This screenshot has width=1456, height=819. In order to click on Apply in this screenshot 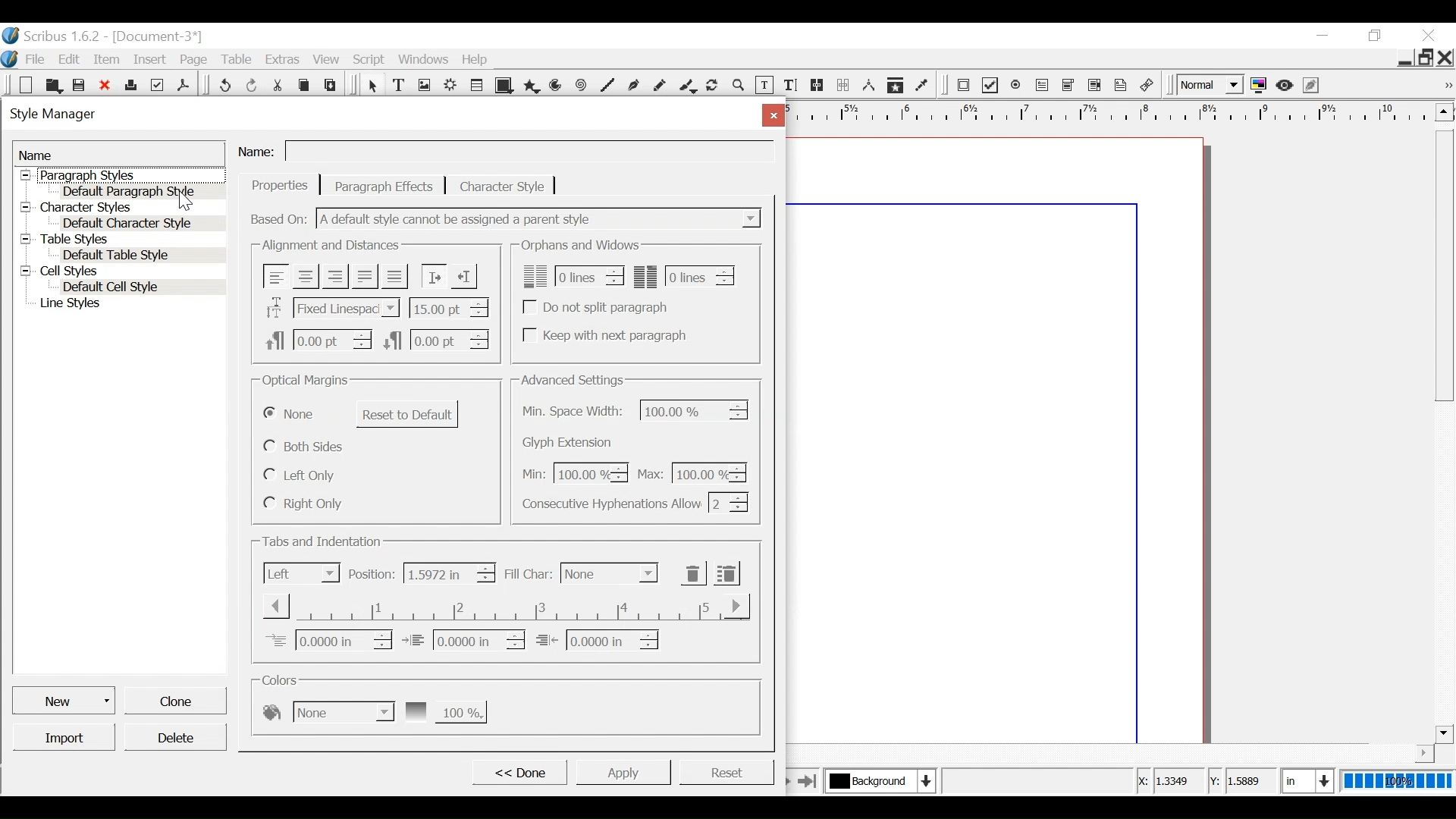, I will do `click(623, 771)`.